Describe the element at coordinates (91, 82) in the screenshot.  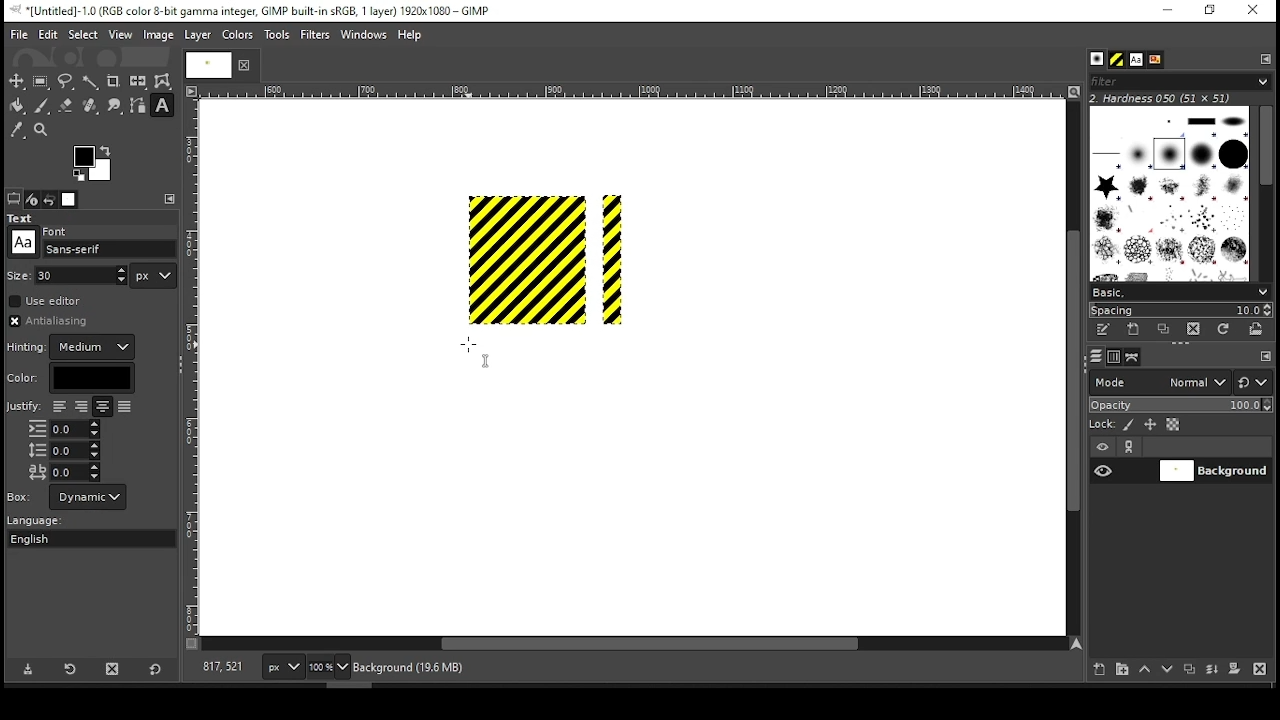
I see `fuzzy selection tool` at that location.